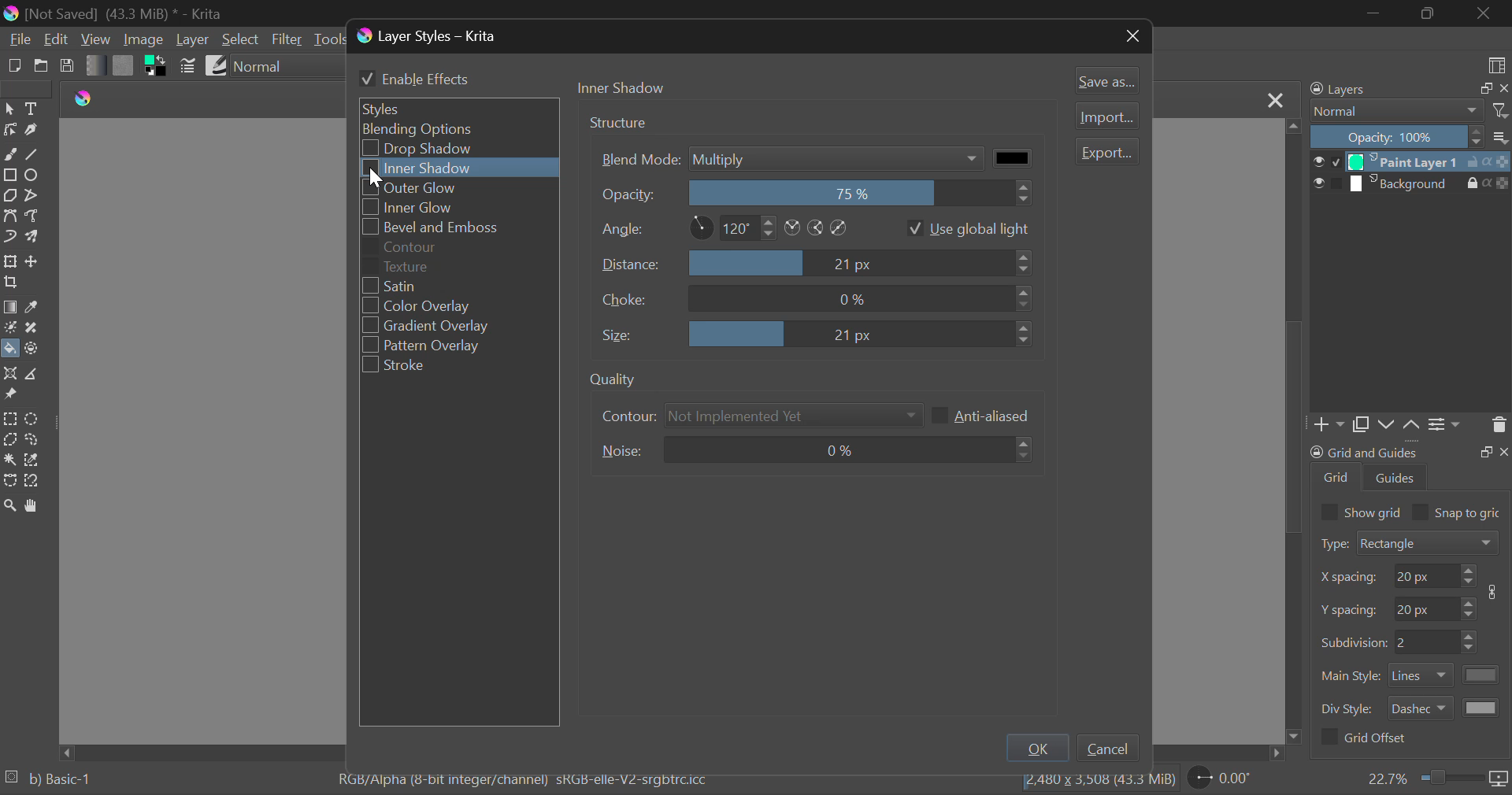 This screenshot has height=795, width=1512. What do you see at coordinates (1035, 749) in the screenshot?
I see `OK` at bounding box center [1035, 749].